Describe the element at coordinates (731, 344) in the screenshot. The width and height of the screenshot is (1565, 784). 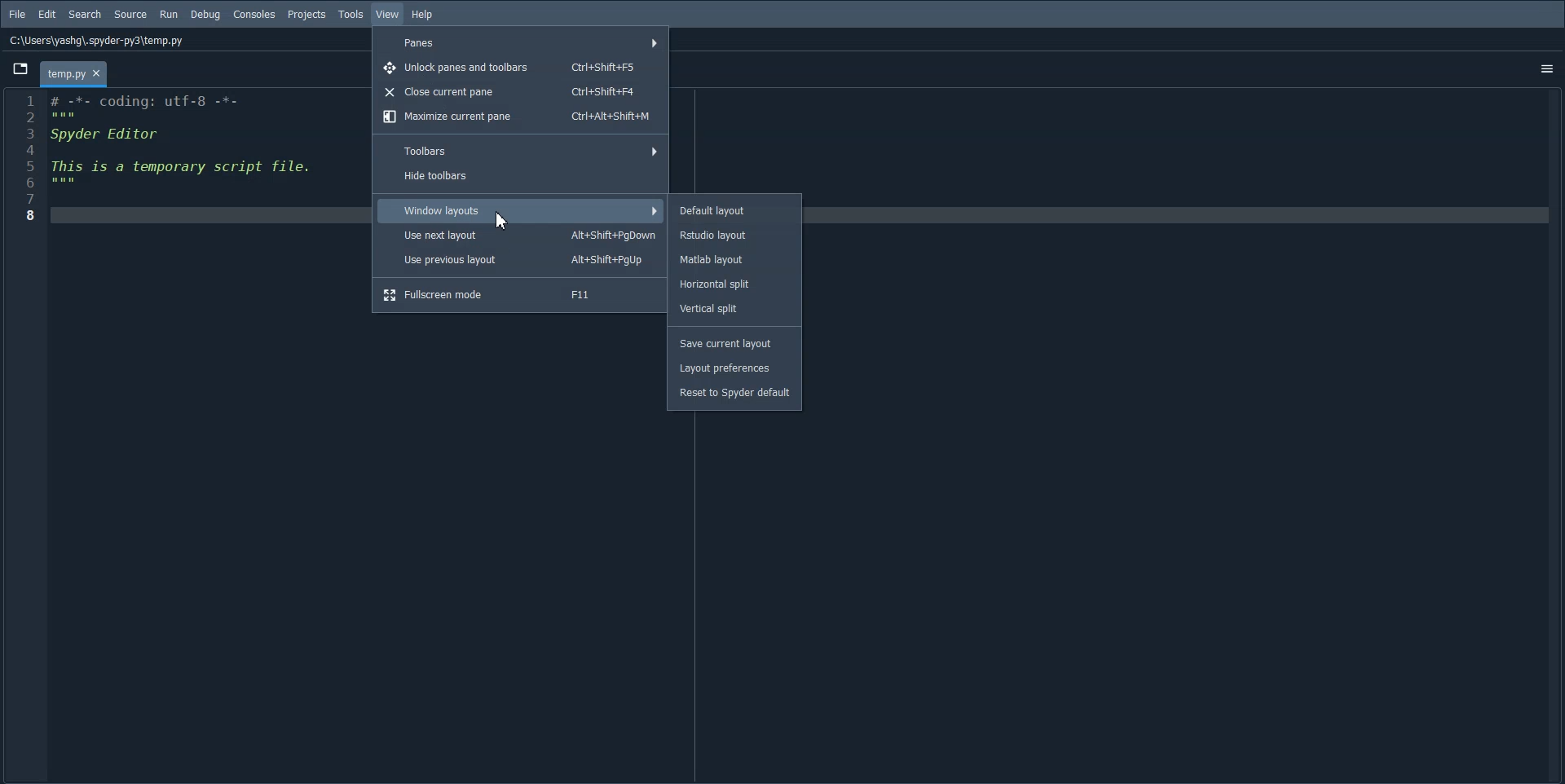
I see `Save current layout` at that location.